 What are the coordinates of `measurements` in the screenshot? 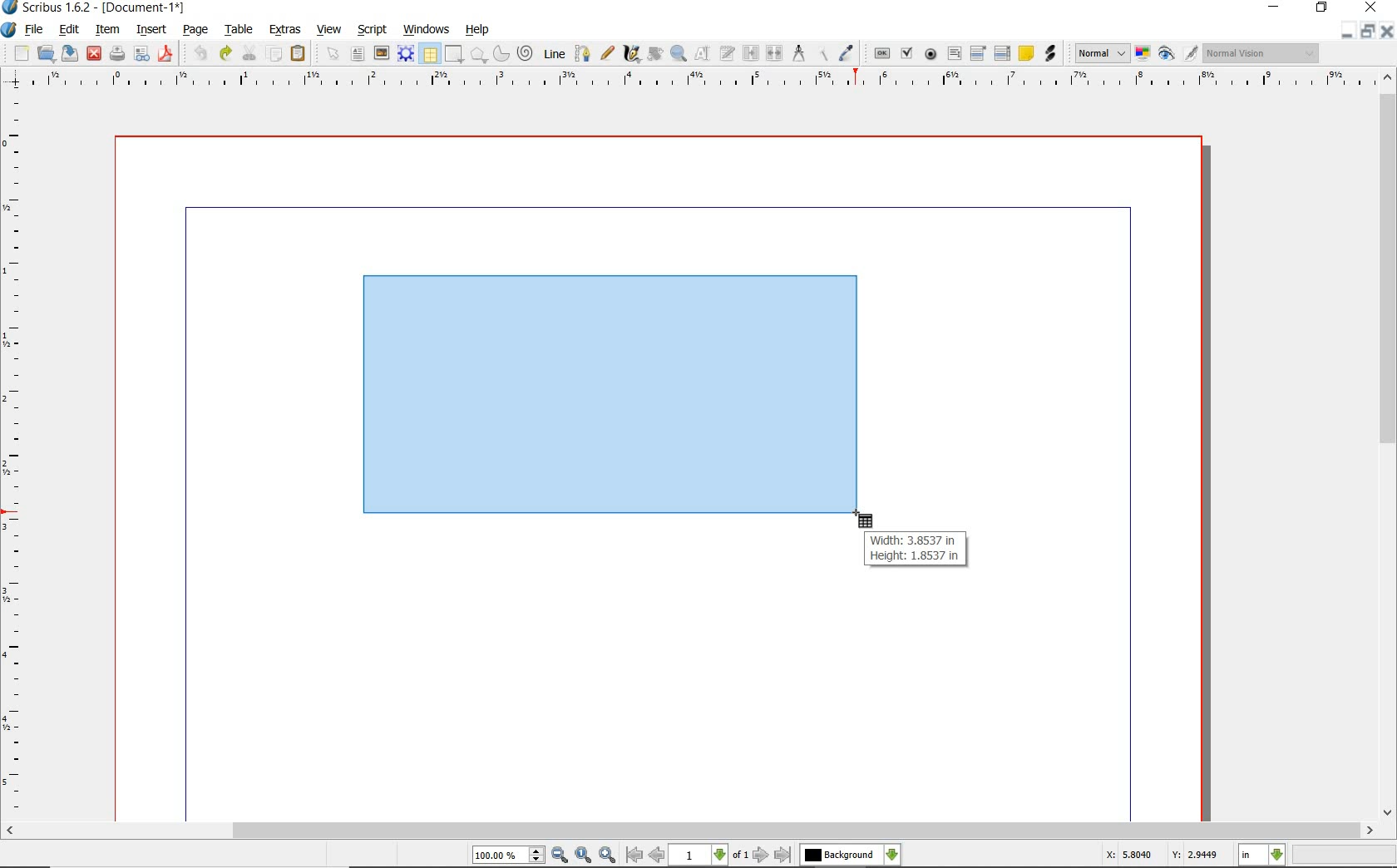 It's located at (799, 53).